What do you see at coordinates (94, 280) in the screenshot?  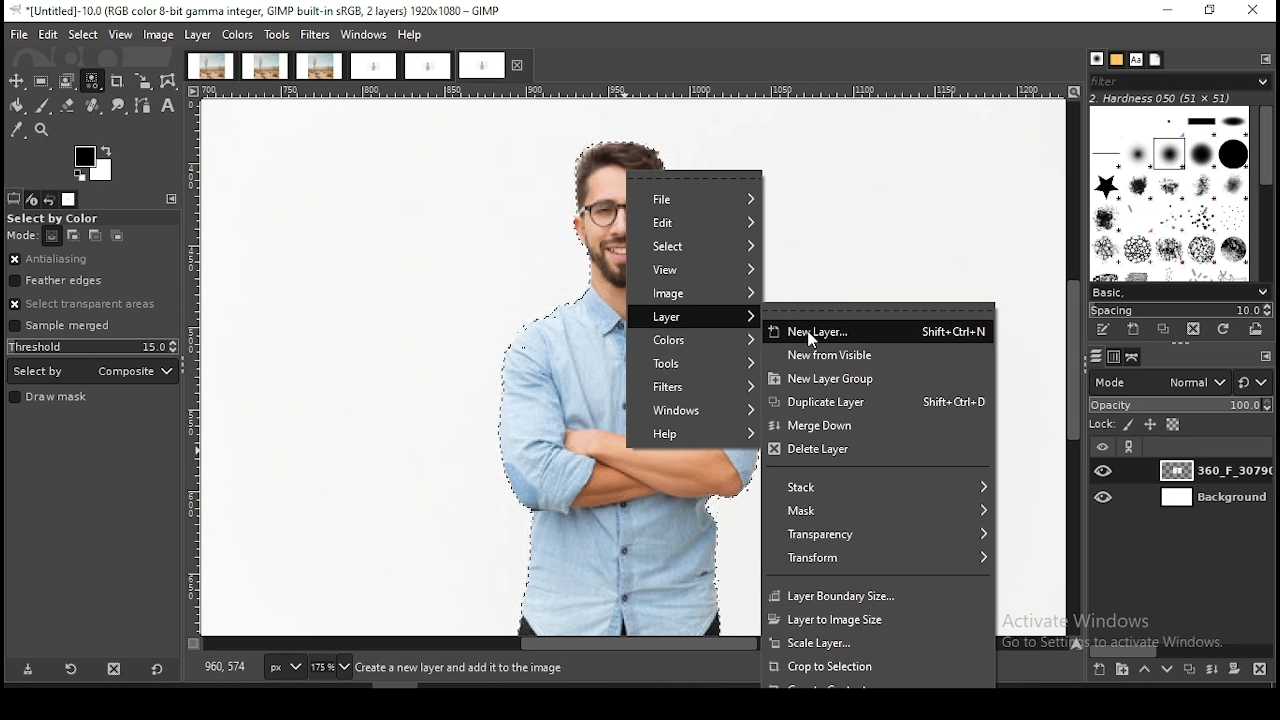 I see `feather edges` at bounding box center [94, 280].